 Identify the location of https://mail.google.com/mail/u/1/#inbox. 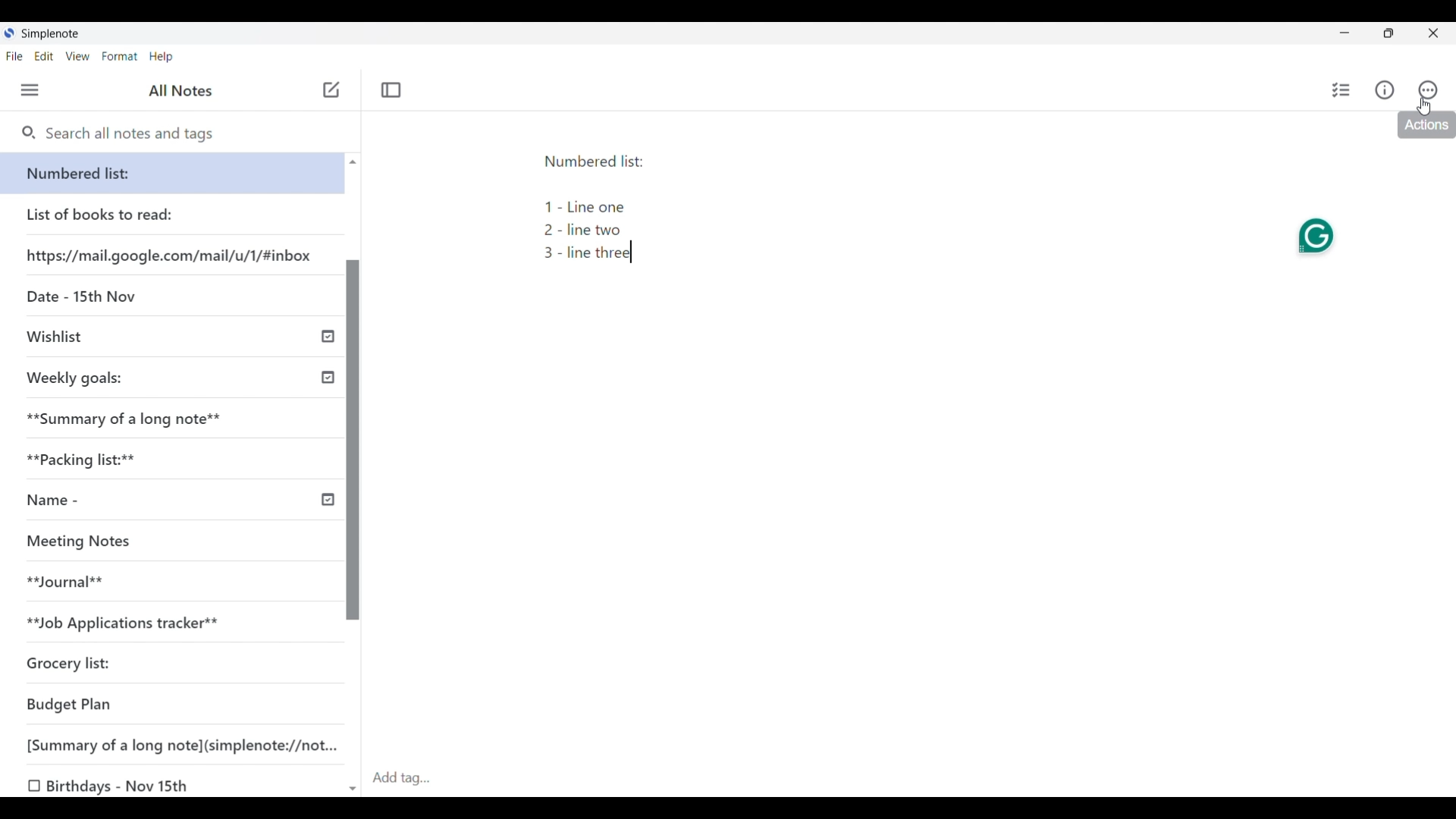
(171, 256).